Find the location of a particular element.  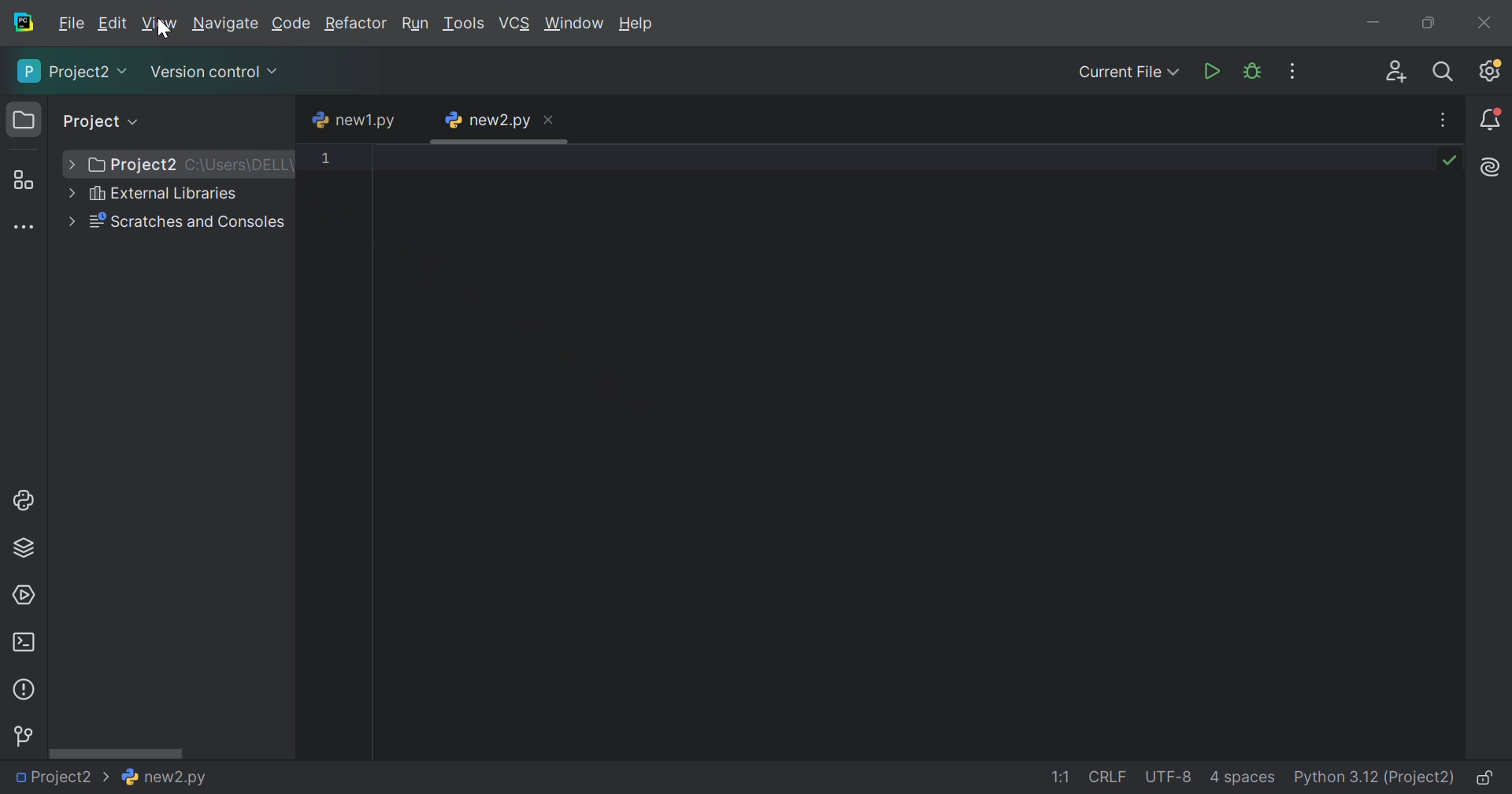

Search Everywhere is located at coordinates (1444, 71).